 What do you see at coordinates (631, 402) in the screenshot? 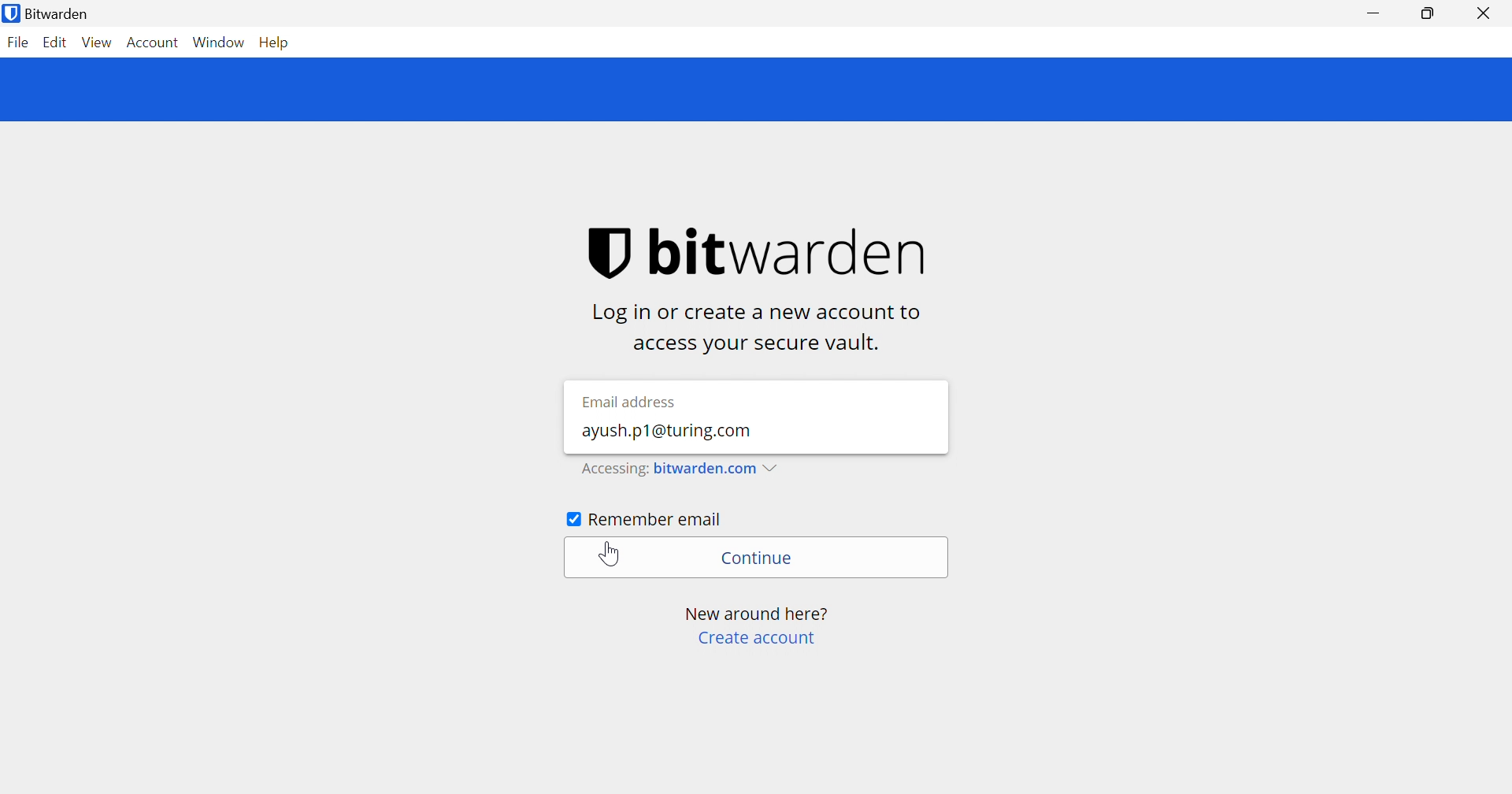
I see `Email address` at bounding box center [631, 402].